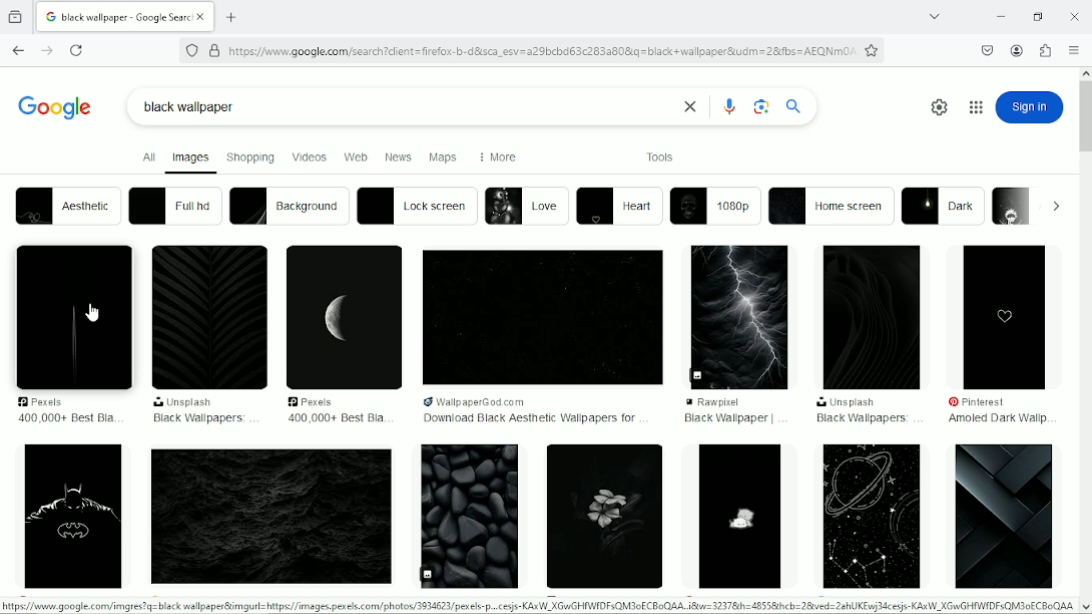 Image resolution: width=1092 pixels, height=614 pixels. Describe the element at coordinates (443, 158) in the screenshot. I see `maps` at that location.